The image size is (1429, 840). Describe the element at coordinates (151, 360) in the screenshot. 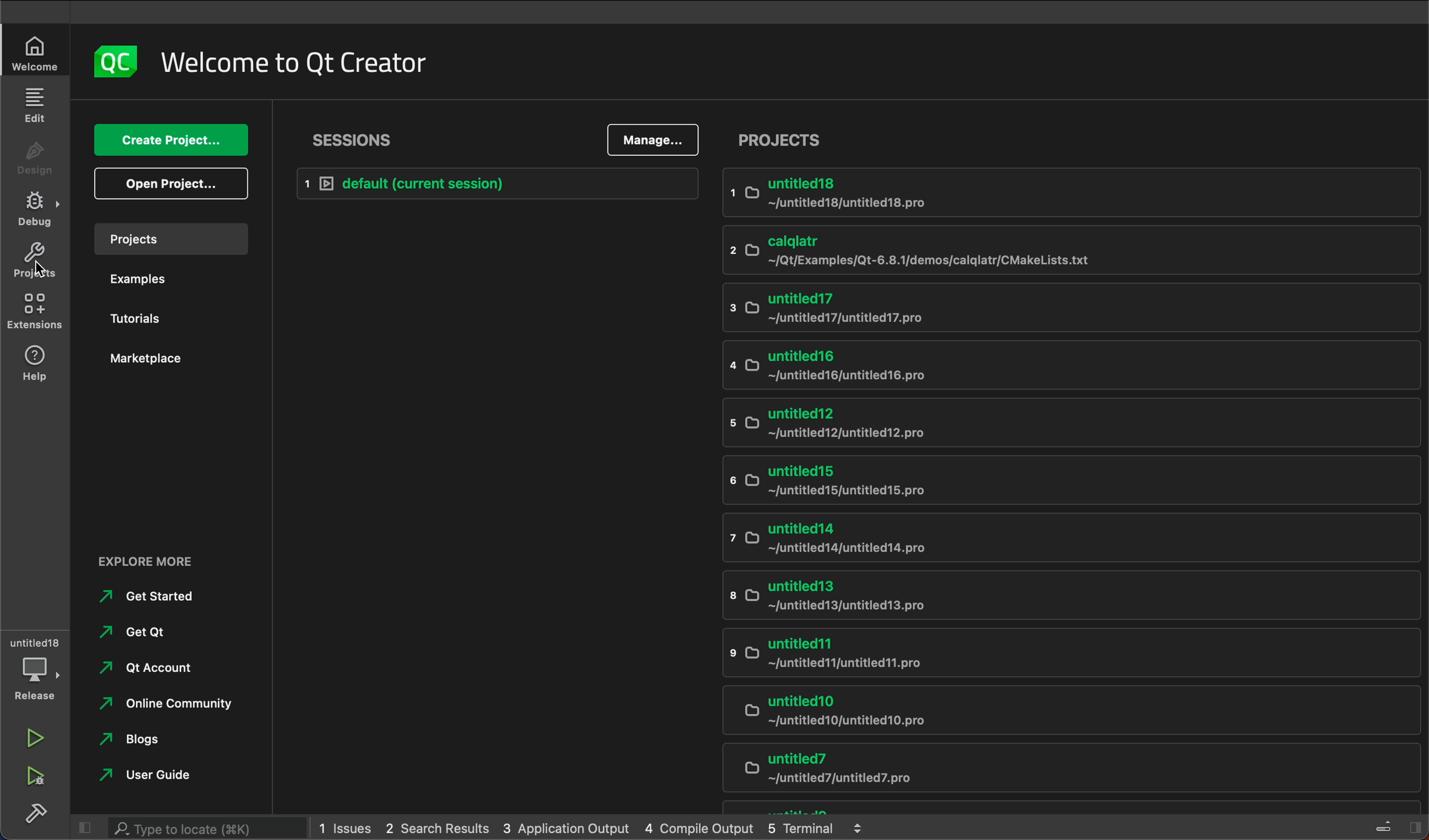

I see `marketplace` at that location.